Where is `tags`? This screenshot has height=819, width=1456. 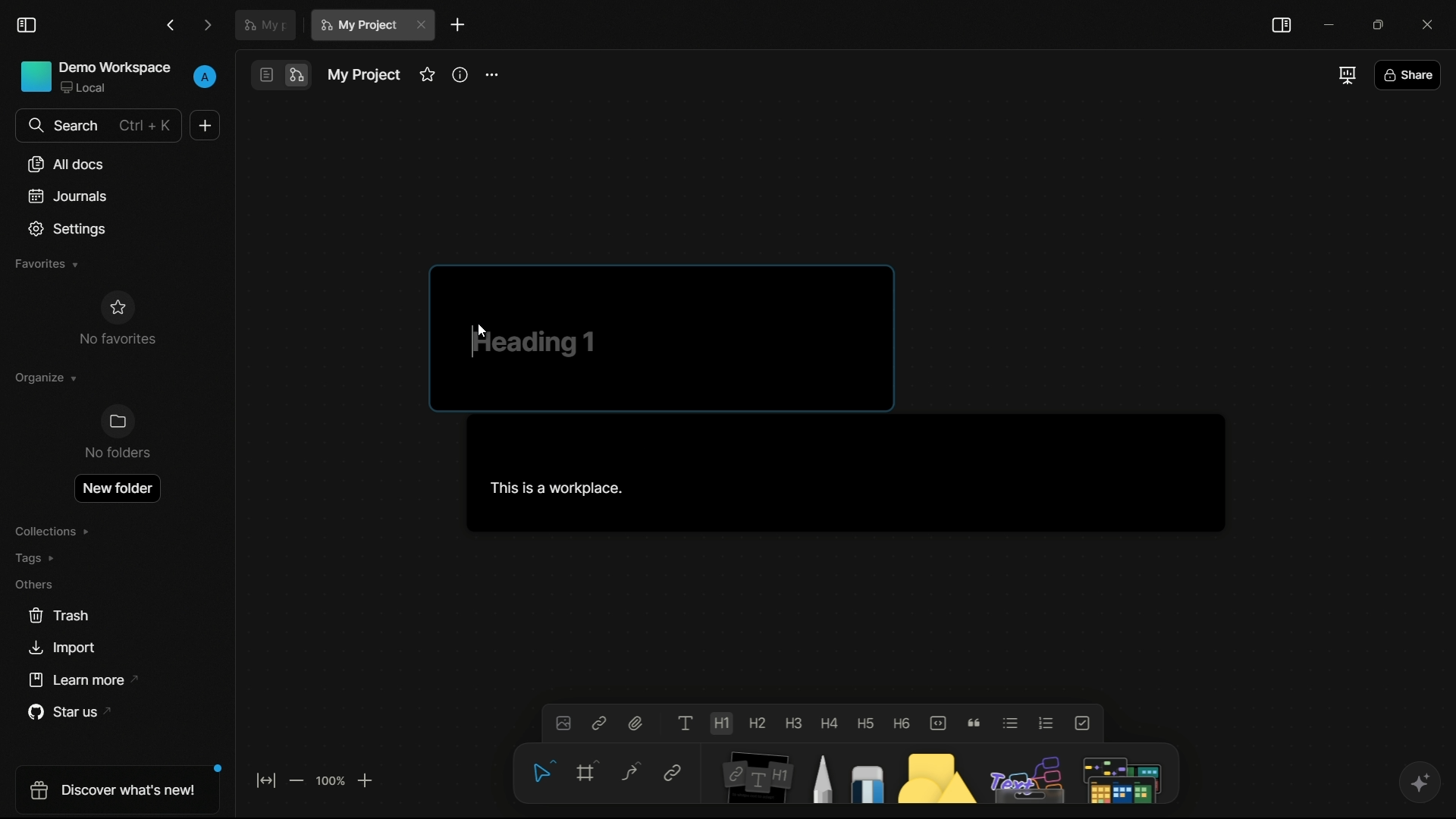
tags is located at coordinates (33, 556).